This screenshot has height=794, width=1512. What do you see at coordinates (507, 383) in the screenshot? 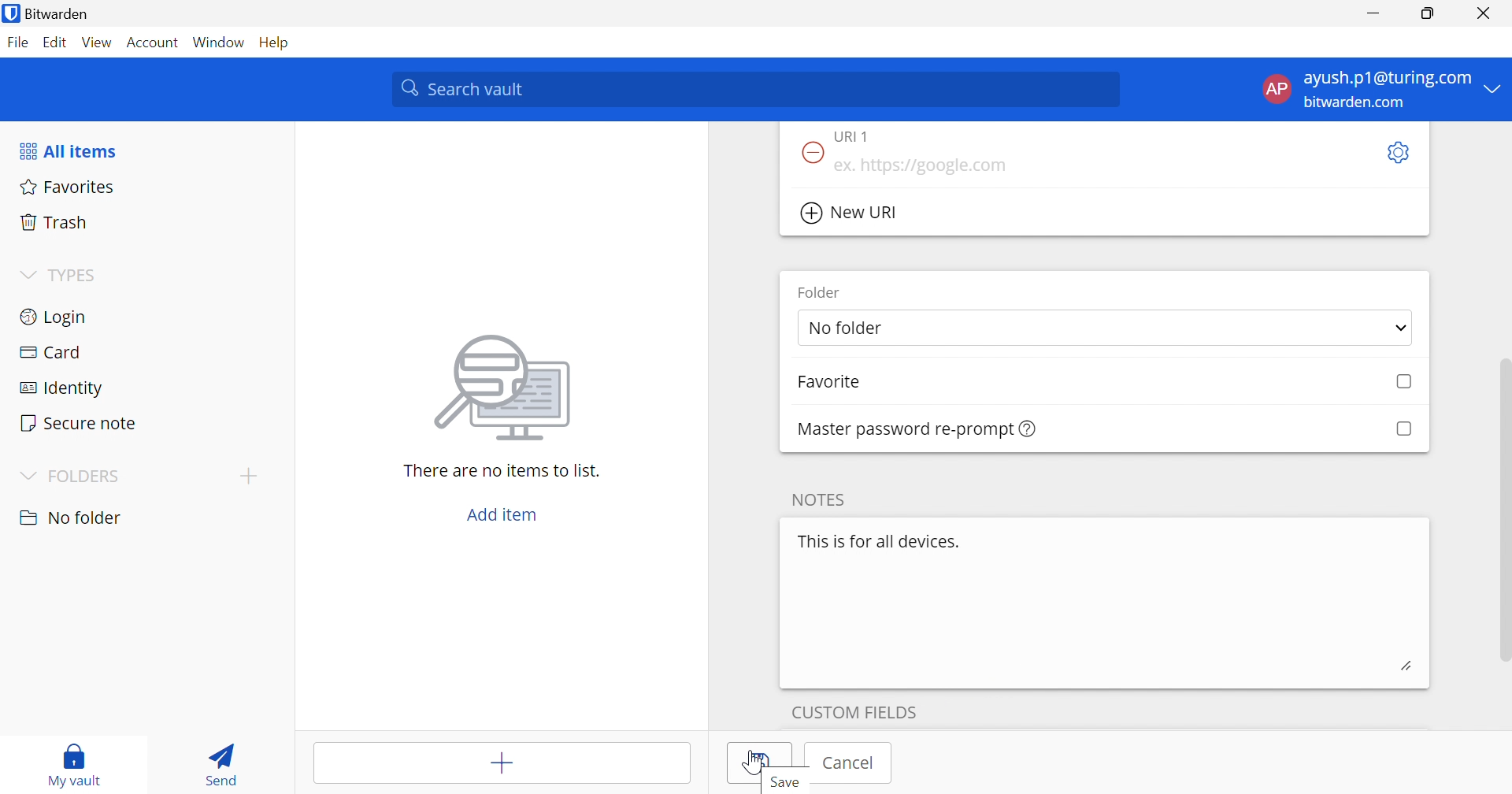
I see `image` at bounding box center [507, 383].